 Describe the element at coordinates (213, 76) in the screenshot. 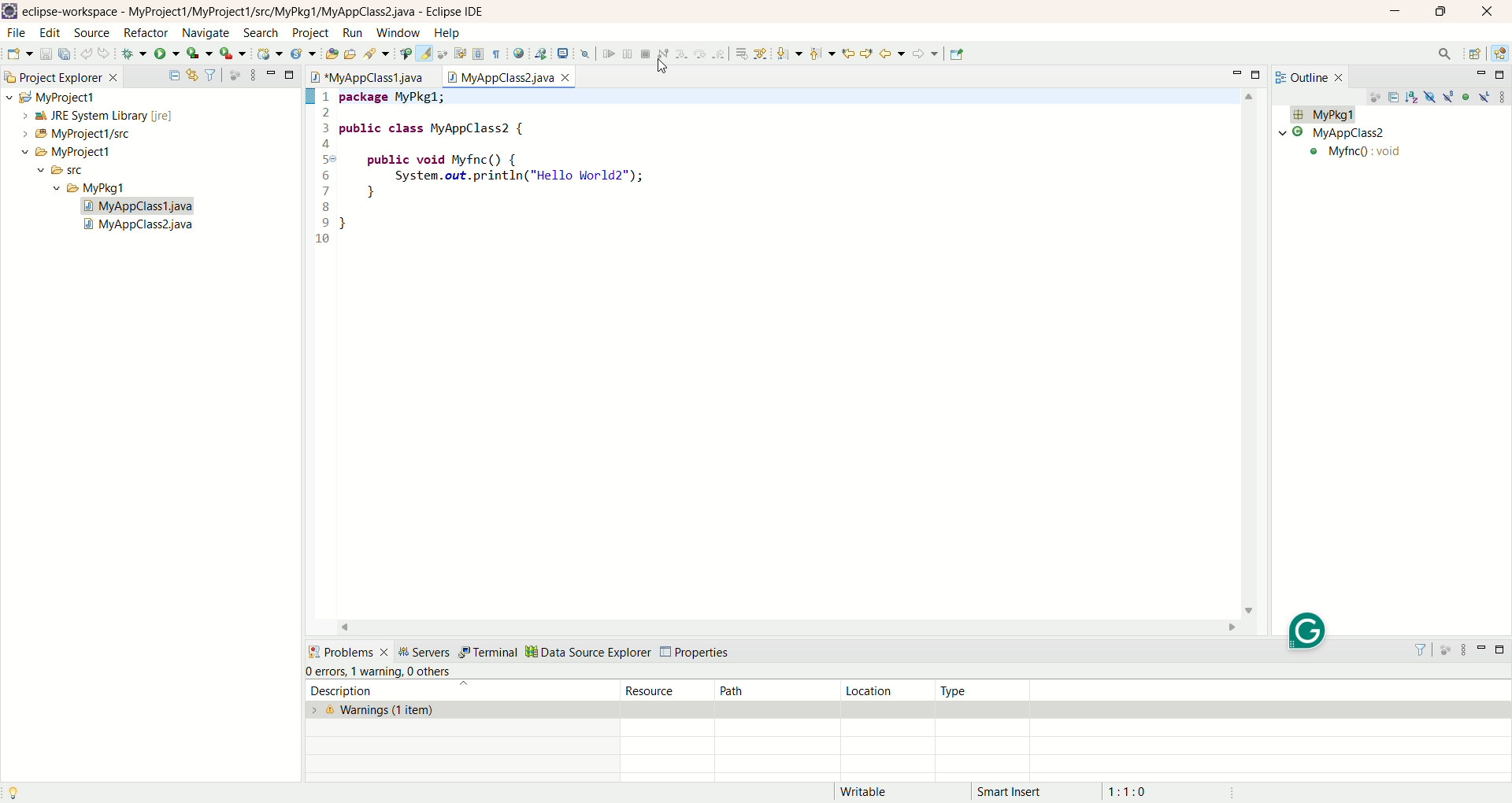

I see `filter` at that location.